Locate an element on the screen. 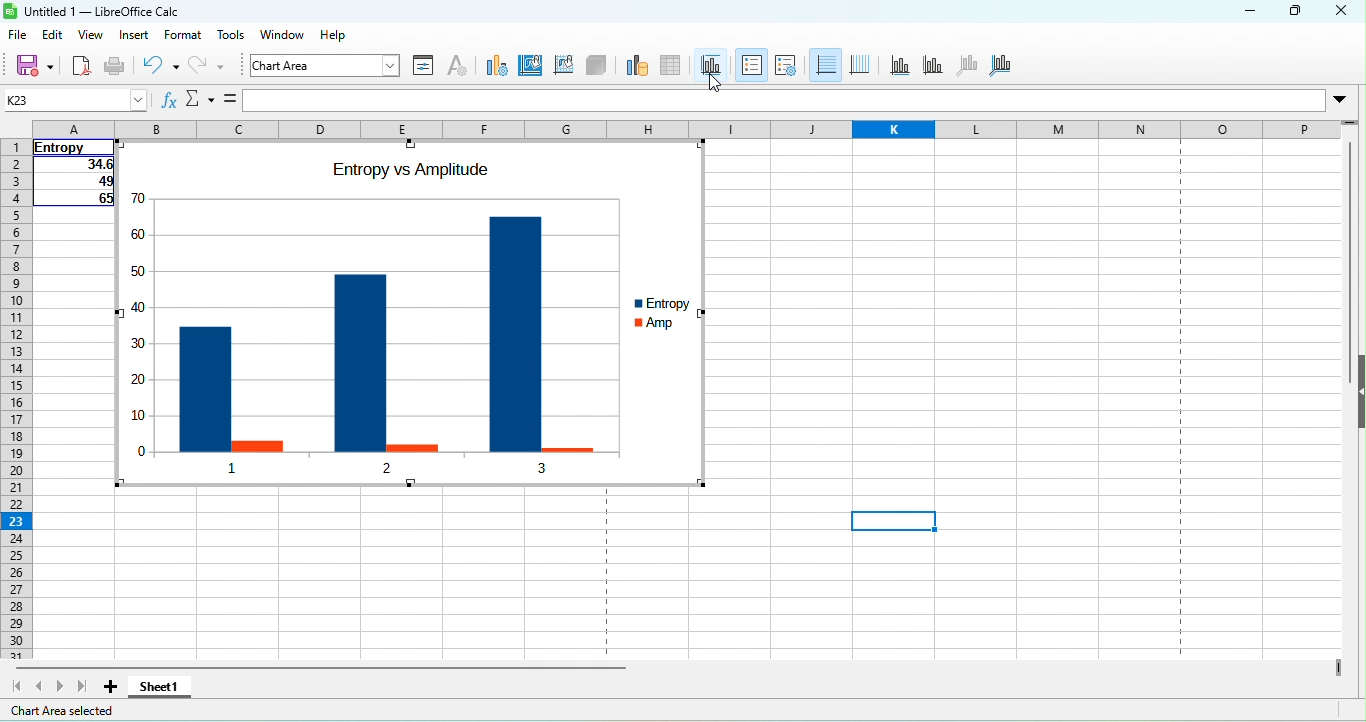  scroll to next sheet is located at coordinates (59, 687).